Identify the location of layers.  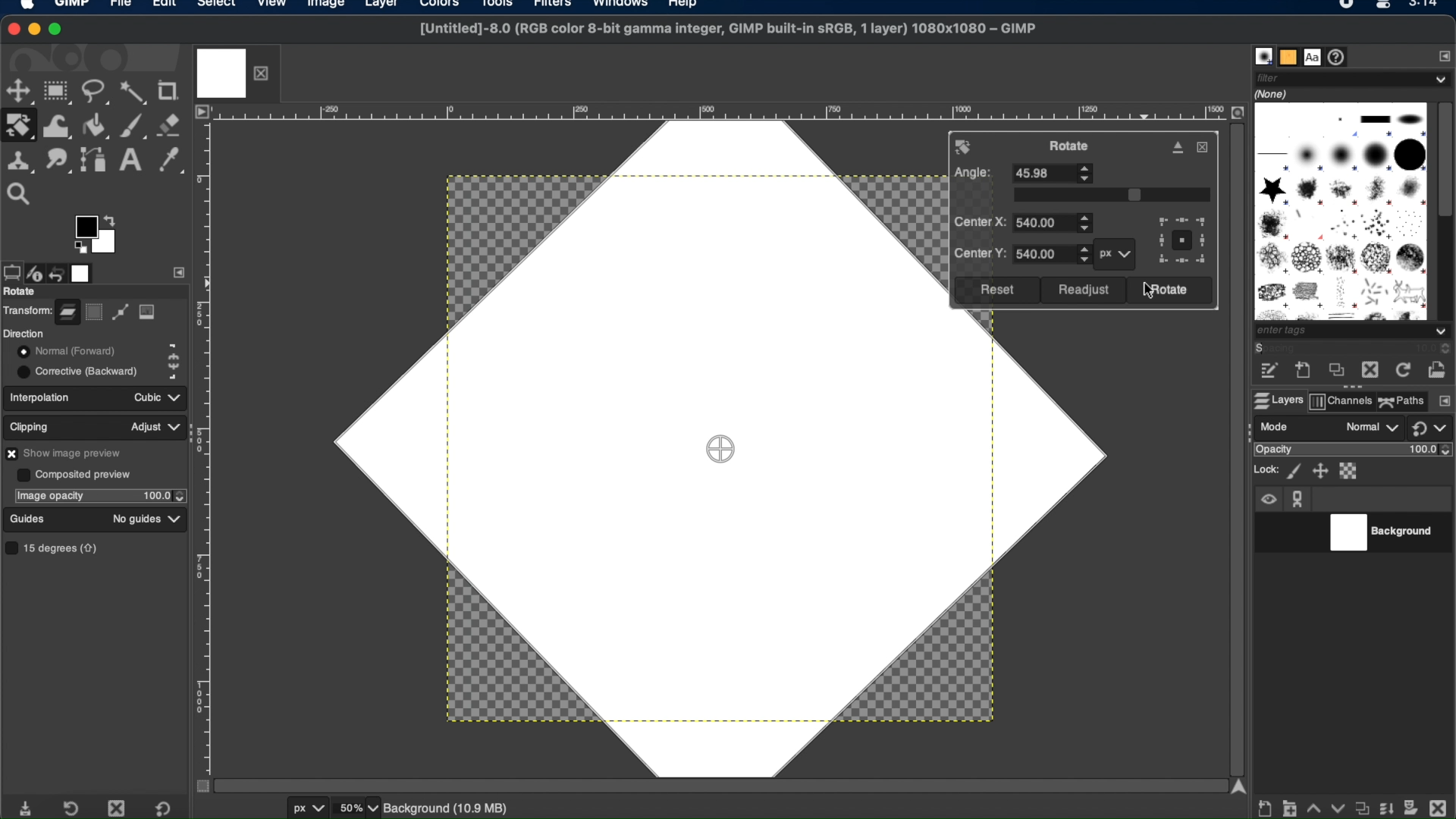
(1276, 400).